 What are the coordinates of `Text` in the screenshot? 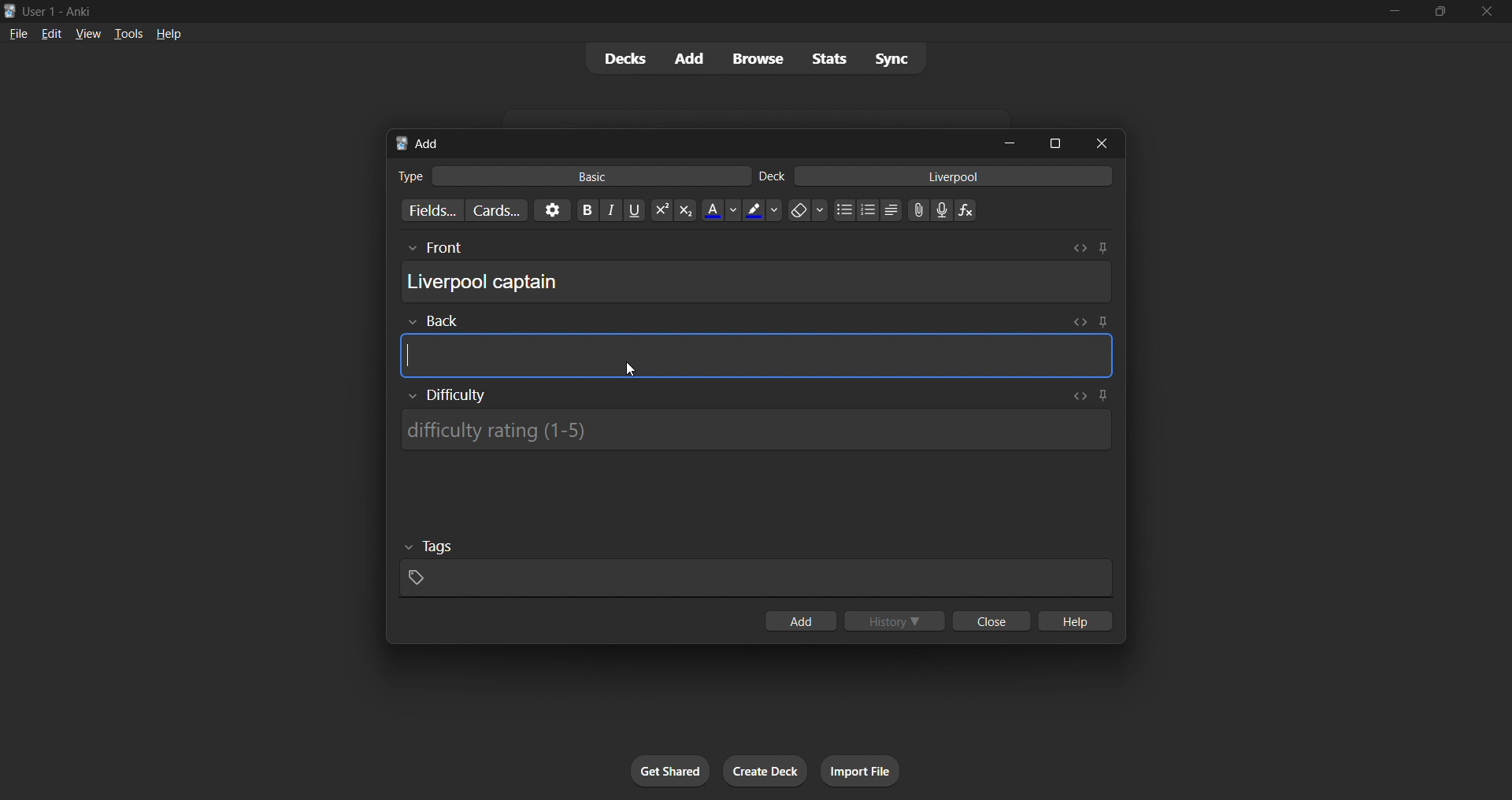 It's located at (60, 13).